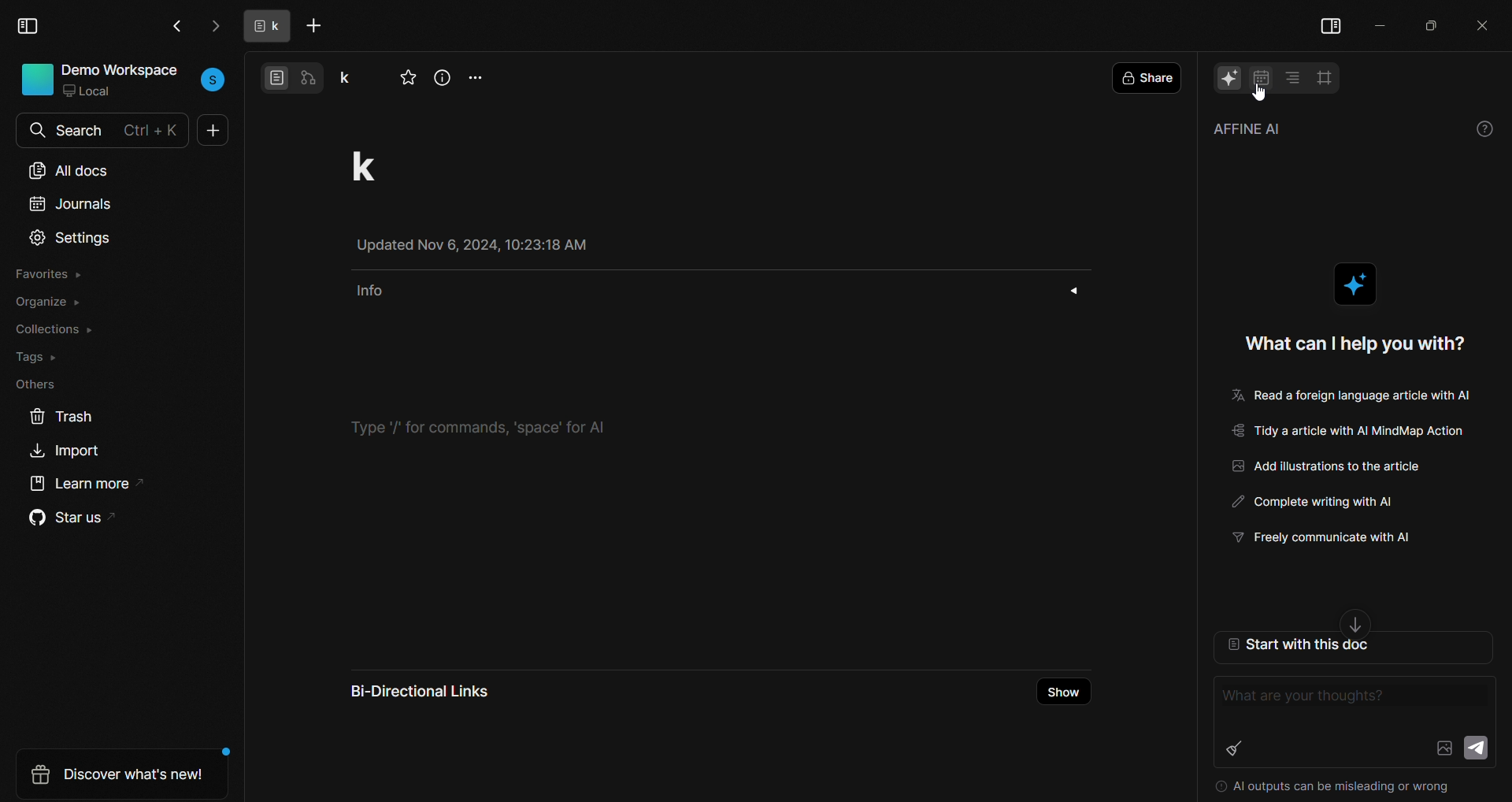 The height and width of the screenshot is (802, 1512). I want to click on cursor, so click(1266, 95).